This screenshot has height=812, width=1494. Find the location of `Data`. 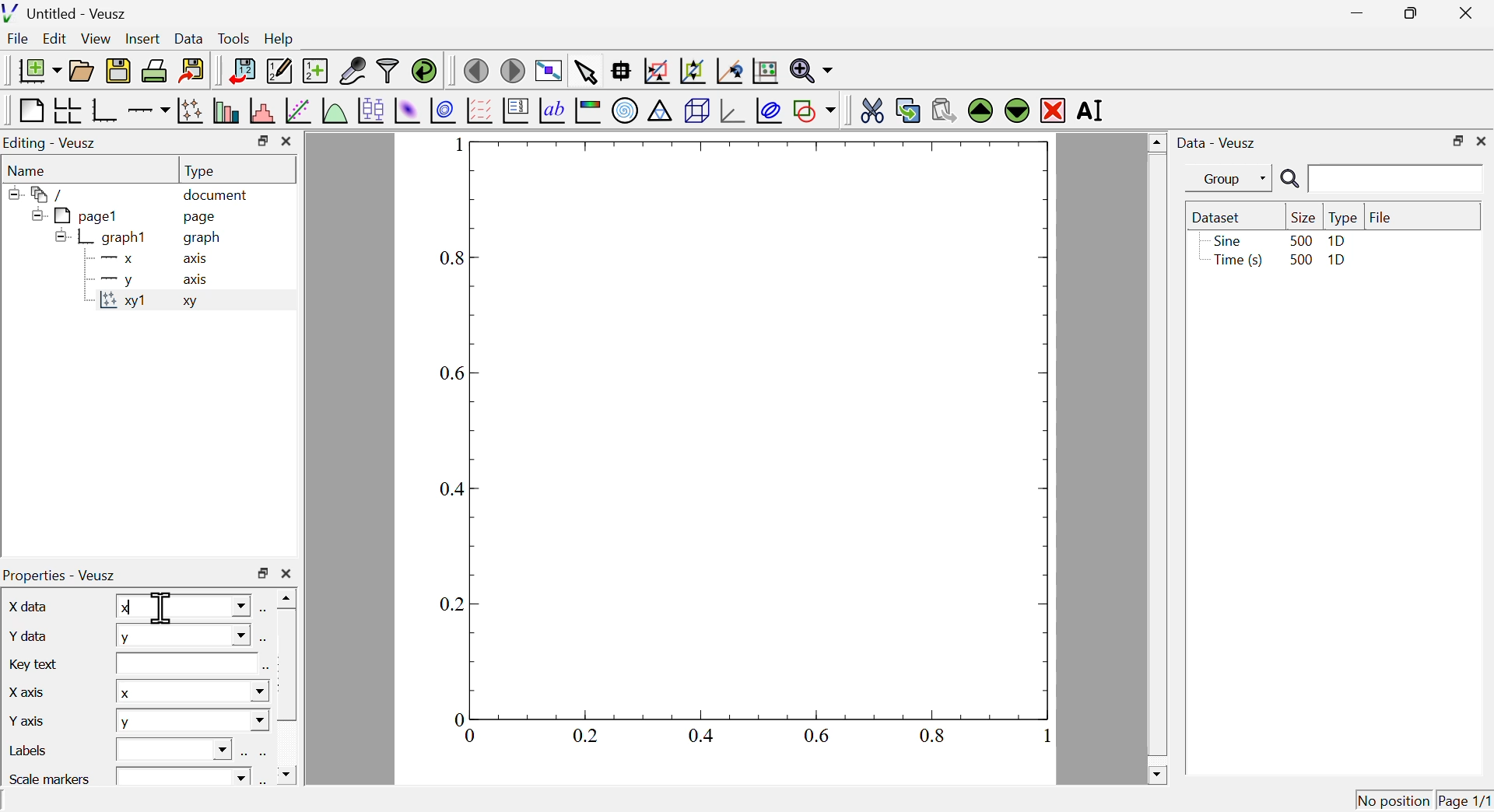

Data is located at coordinates (189, 37).